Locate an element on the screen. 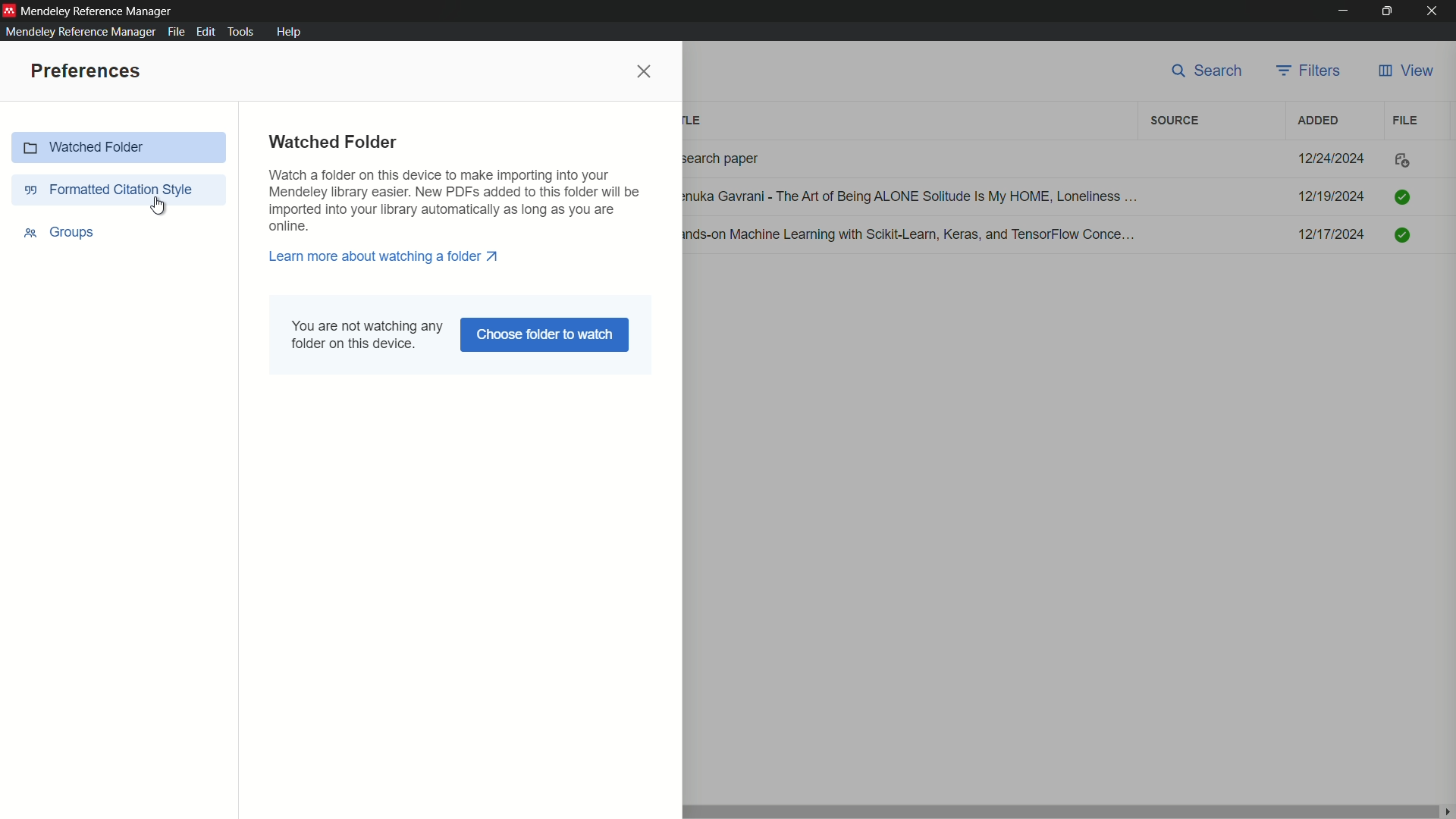 The image size is (1456, 819). filters is located at coordinates (1311, 71).